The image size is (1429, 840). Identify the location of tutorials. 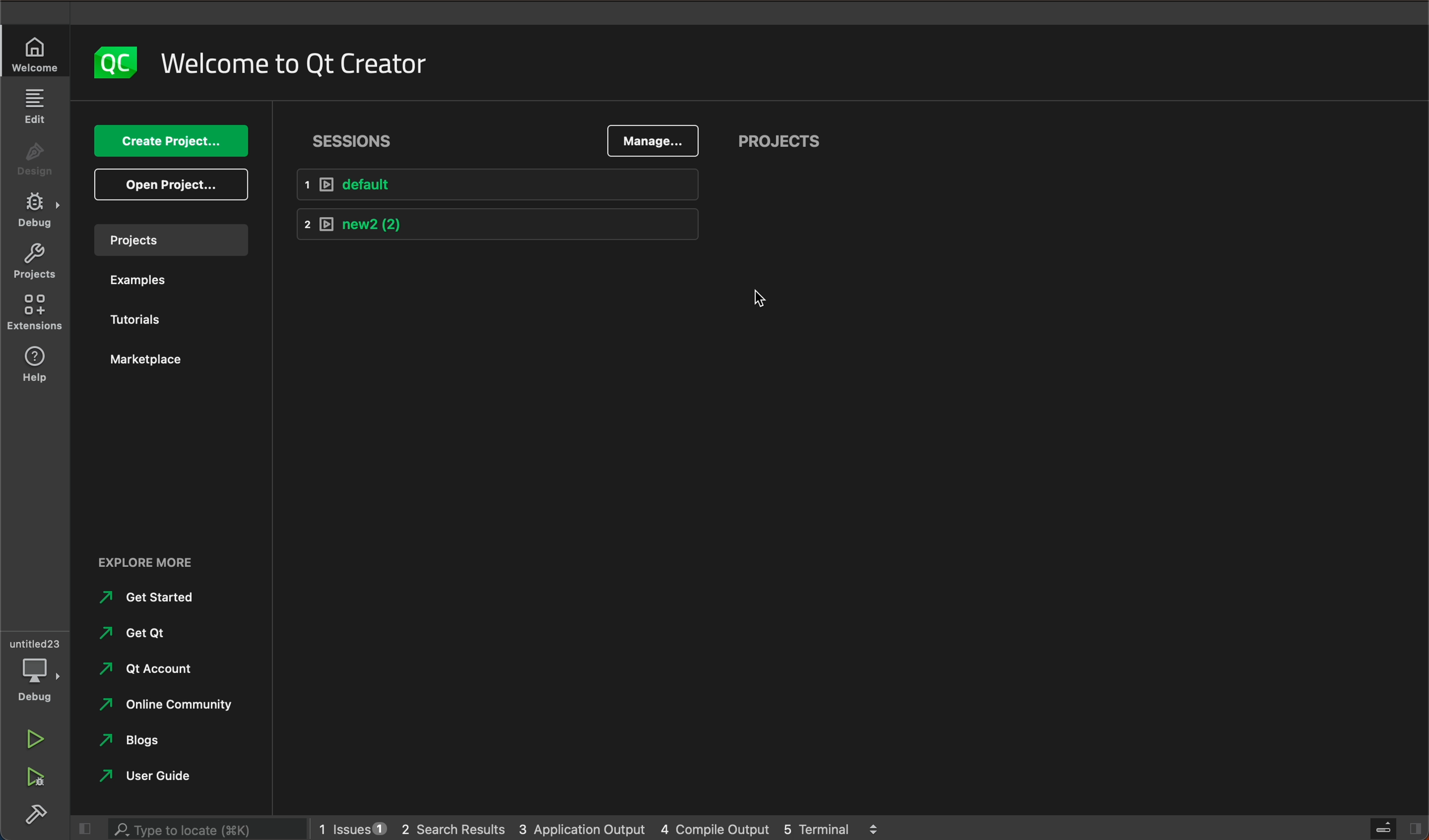
(158, 320).